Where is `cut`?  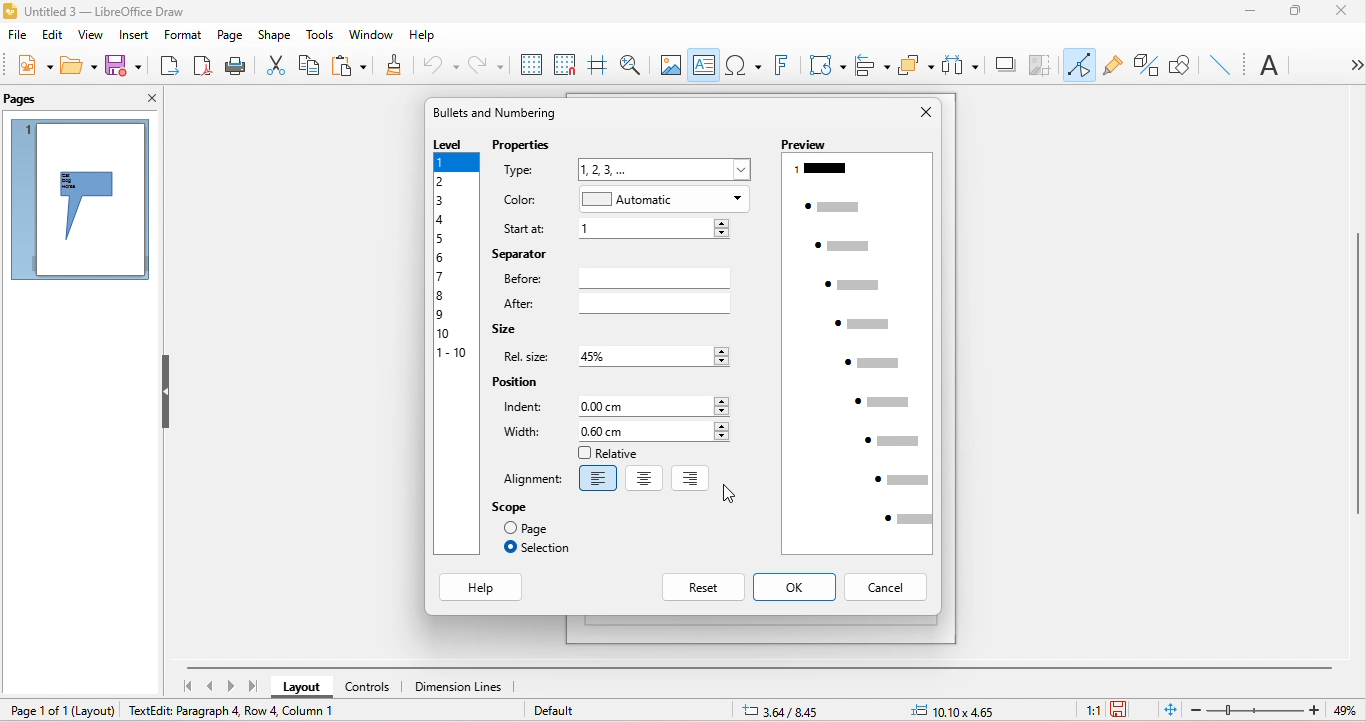 cut is located at coordinates (274, 65).